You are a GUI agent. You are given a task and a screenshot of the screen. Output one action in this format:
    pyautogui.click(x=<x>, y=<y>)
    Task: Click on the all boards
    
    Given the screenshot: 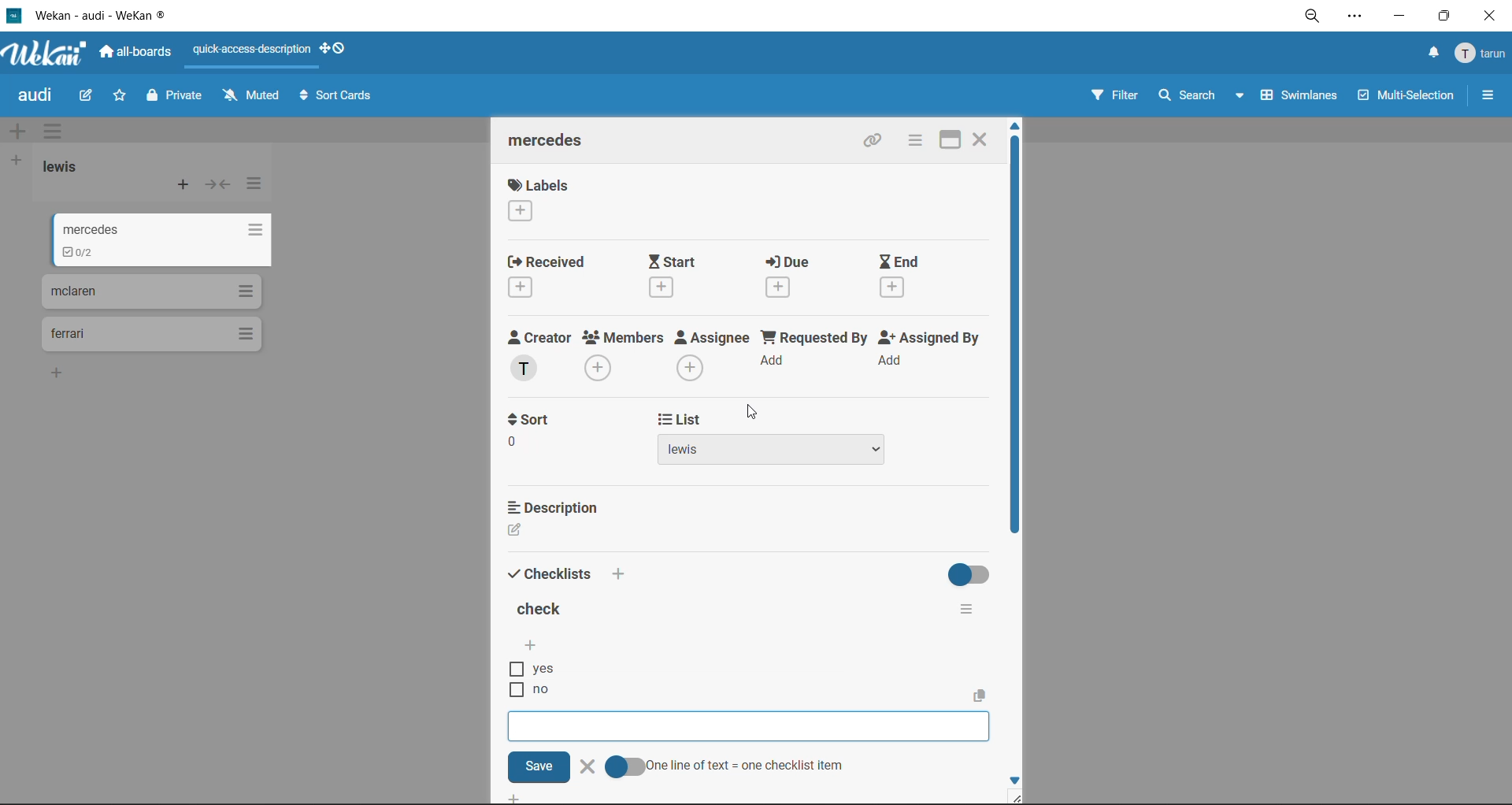 What is the action you would take?
    pyautogui.click(x=139, y=54)
    